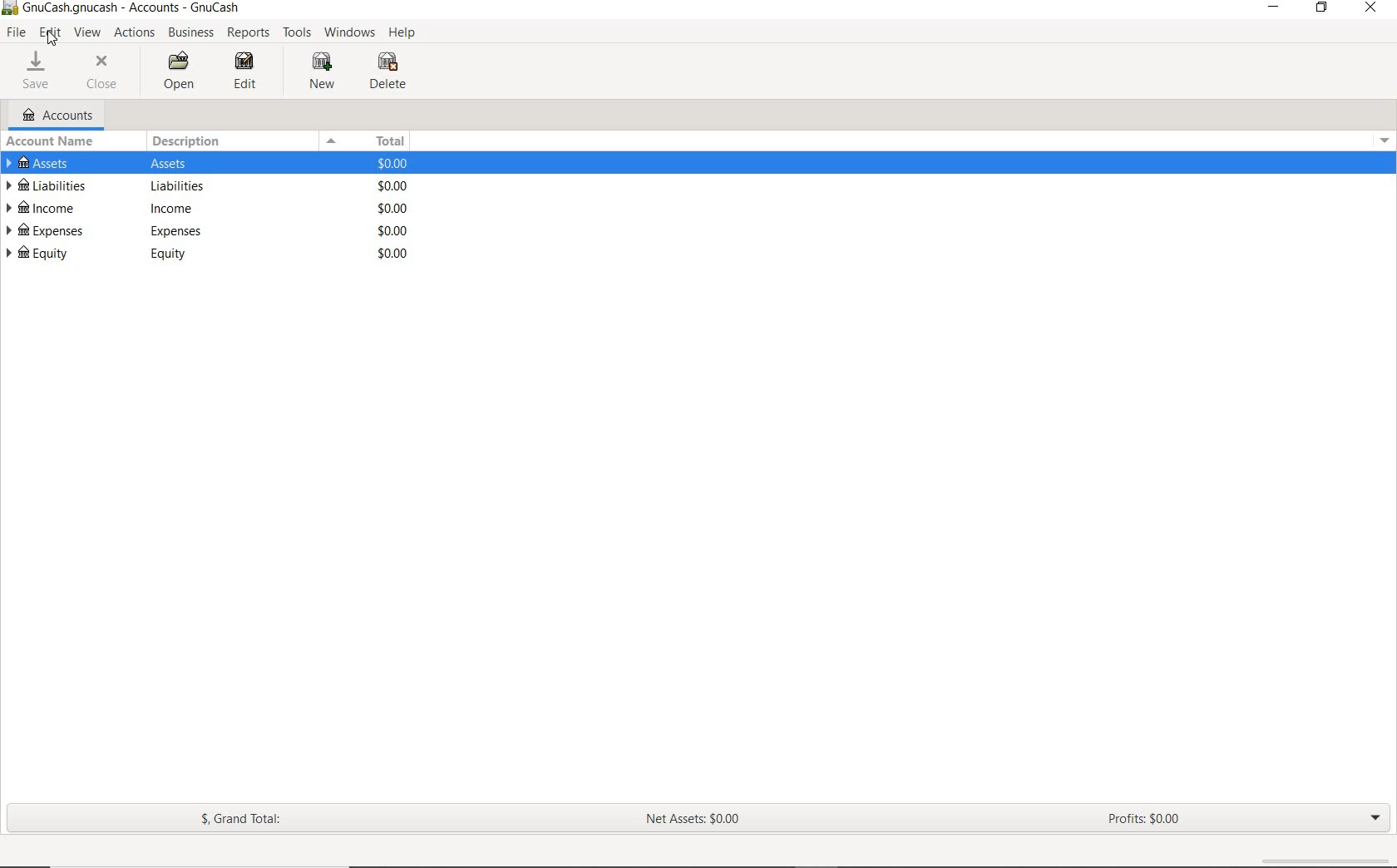  Describe the element at coordinates (1323, 8) in the screenshot. I see `RESTORE DOWN` at that location.